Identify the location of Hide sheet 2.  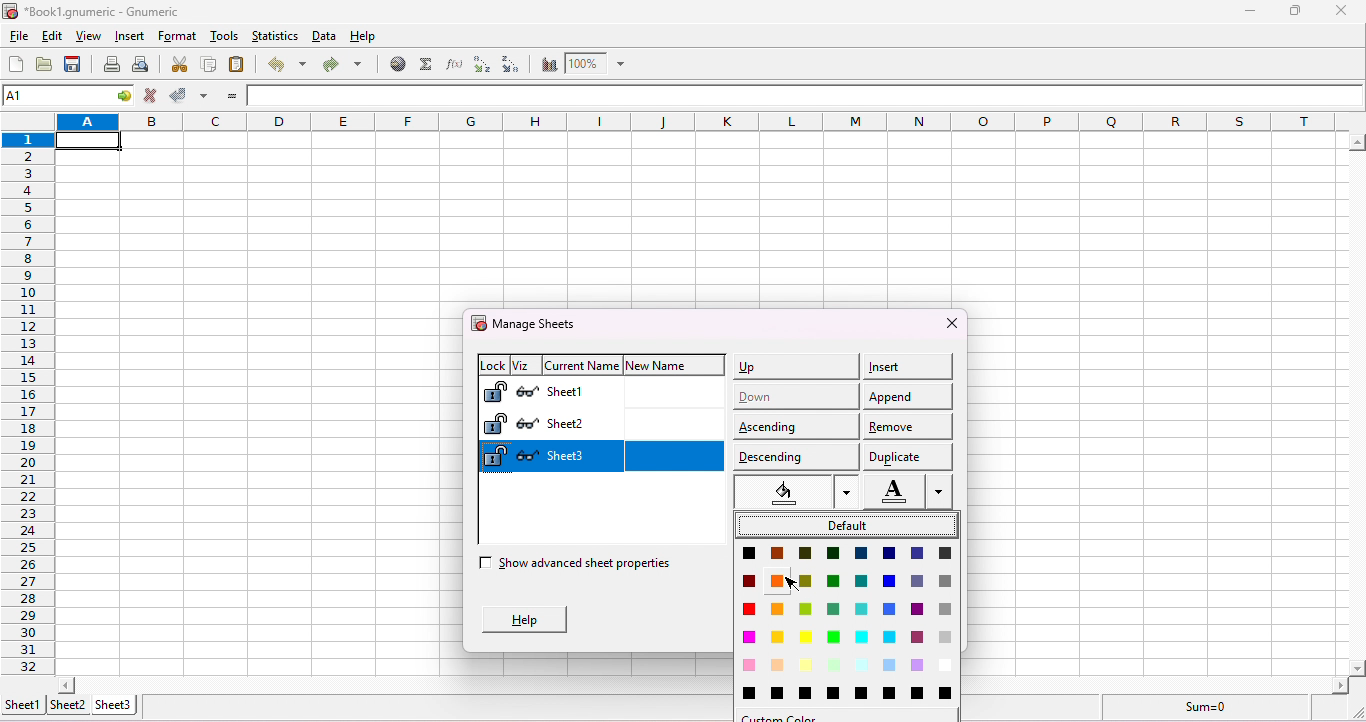
(528, 423).